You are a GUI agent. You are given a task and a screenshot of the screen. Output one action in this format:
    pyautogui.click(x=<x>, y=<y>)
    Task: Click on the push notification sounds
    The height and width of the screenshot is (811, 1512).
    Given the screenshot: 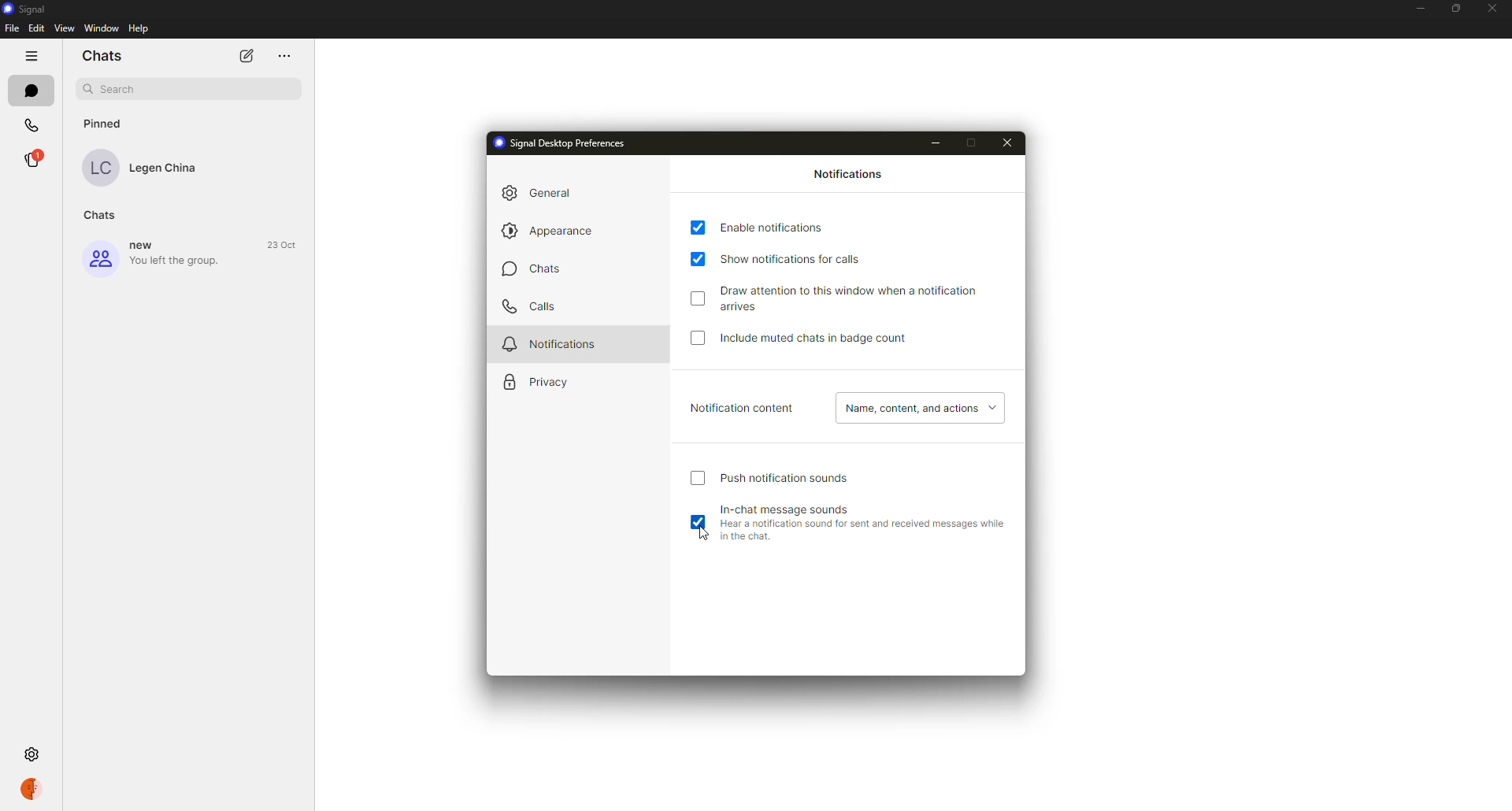 What is the action you would take?
    pyautogui.click(x=783, y=476)
    